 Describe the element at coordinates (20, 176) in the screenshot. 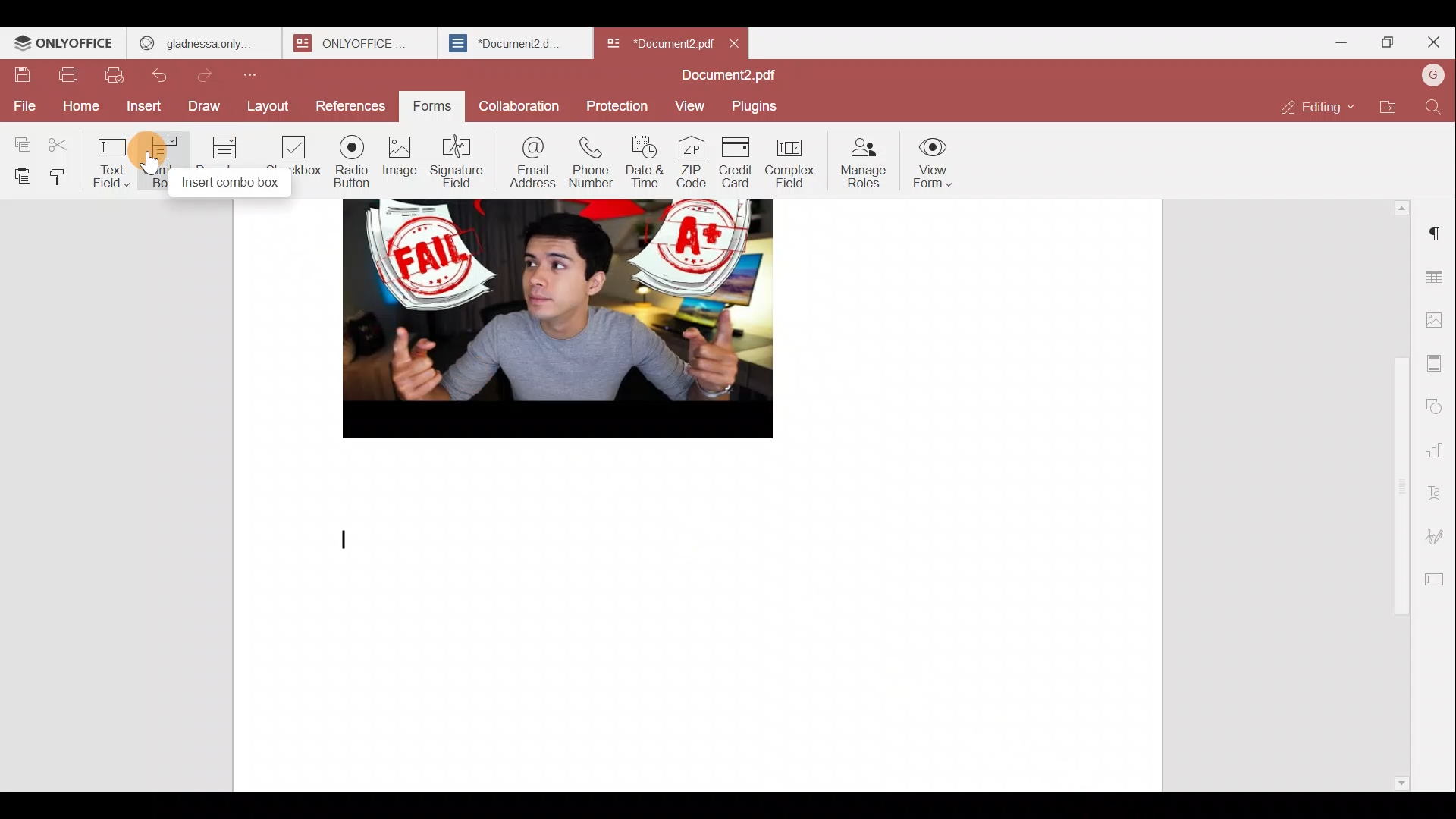

I see `Paste` at that location.